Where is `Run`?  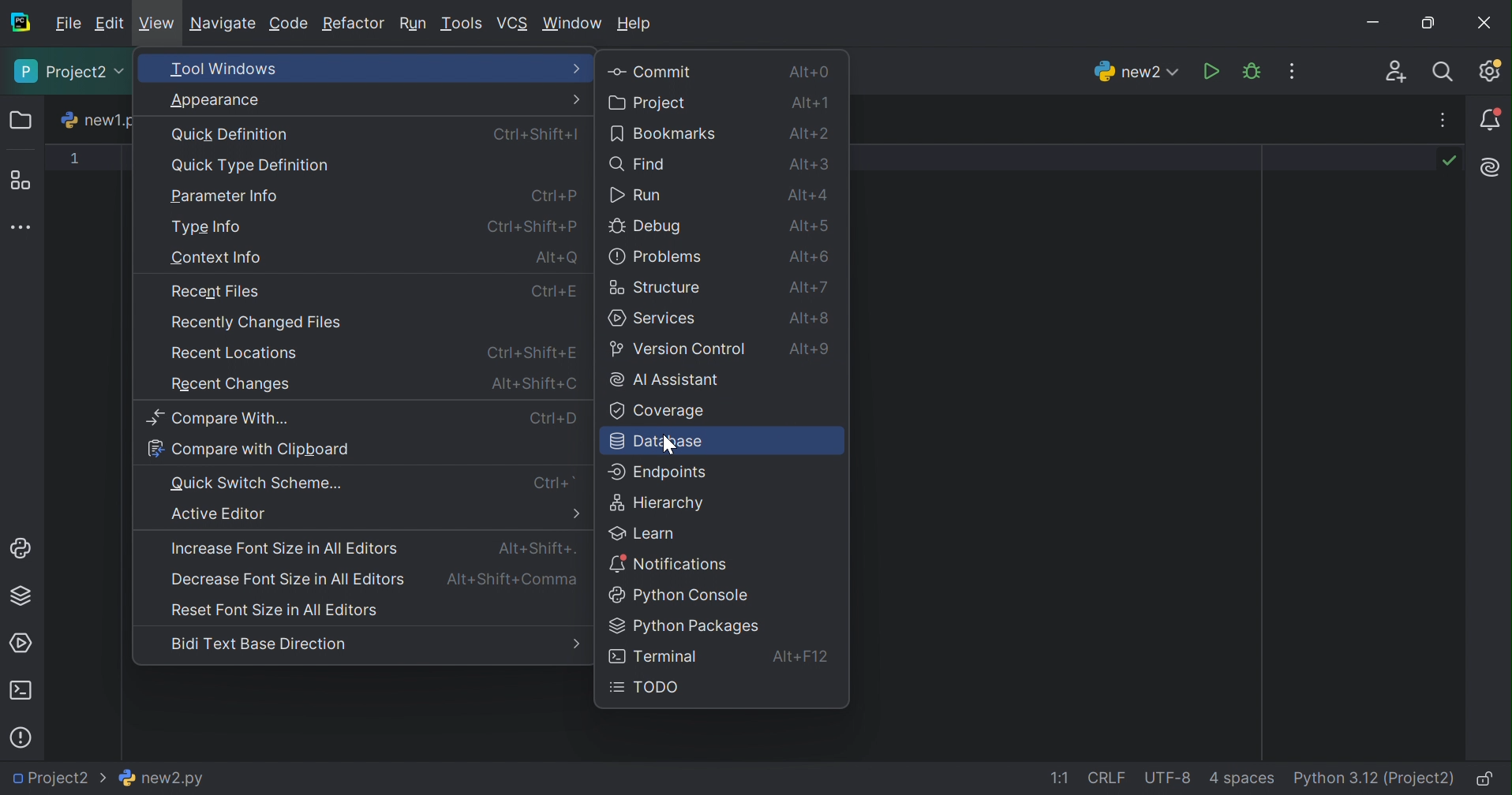 Run is located at coordinates (637, 195).